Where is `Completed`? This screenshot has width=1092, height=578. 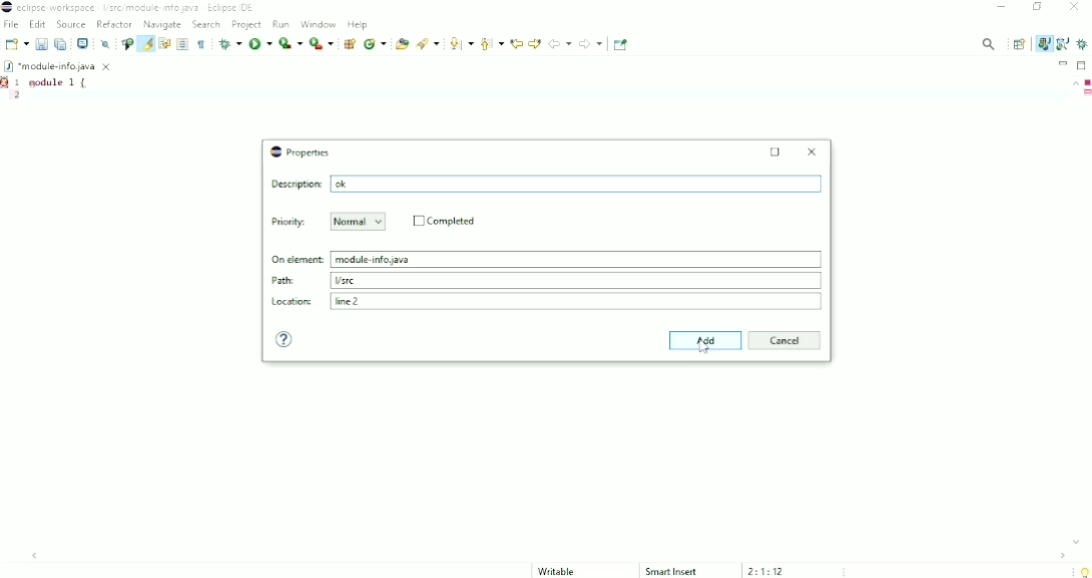
Completed is located at coordinates (444, 221).